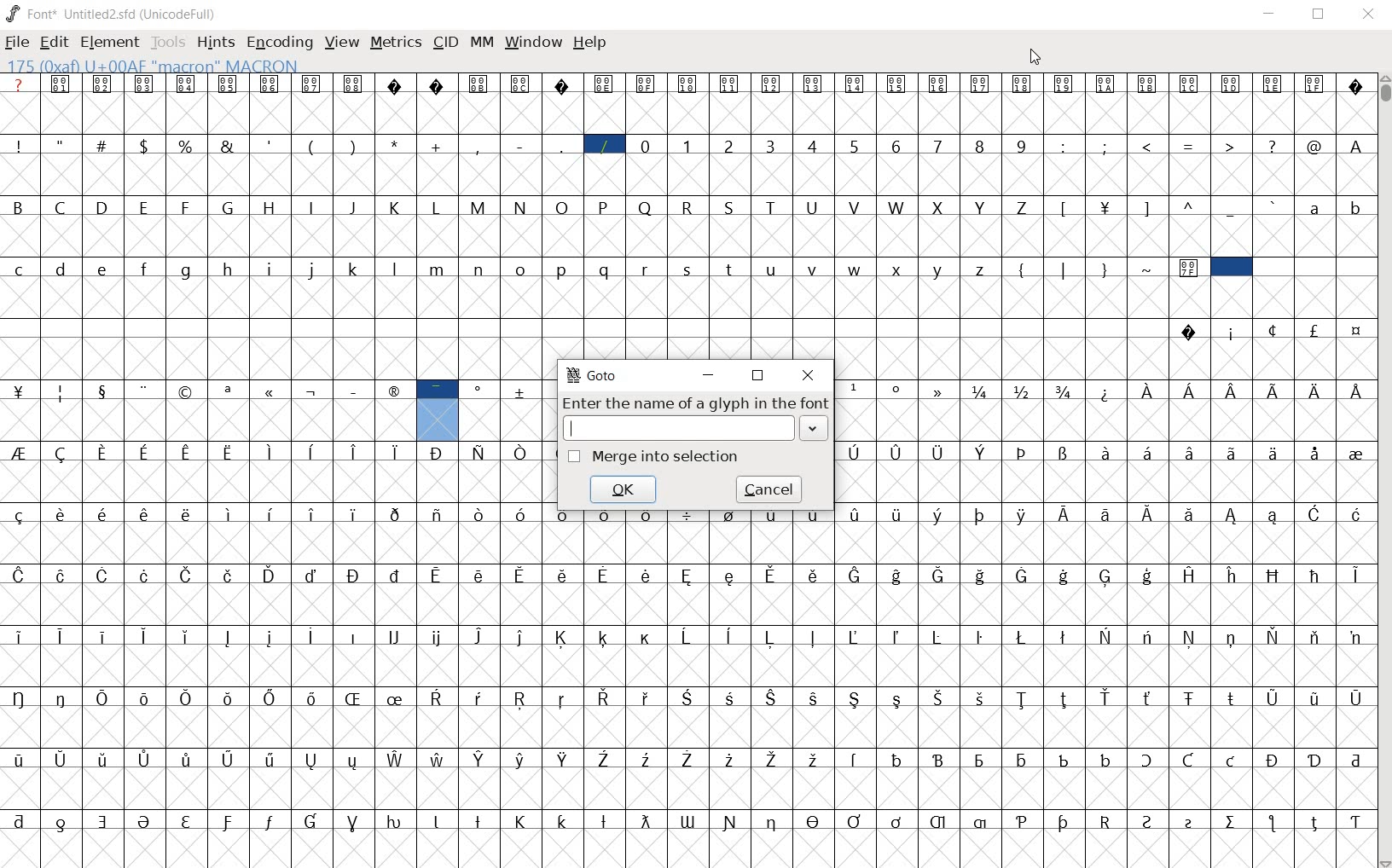 The image size is (1392, 868). What do you see at coordinates (214, 42) in the screenshot?
I see `HINTS` at bounding box center [214, 42].